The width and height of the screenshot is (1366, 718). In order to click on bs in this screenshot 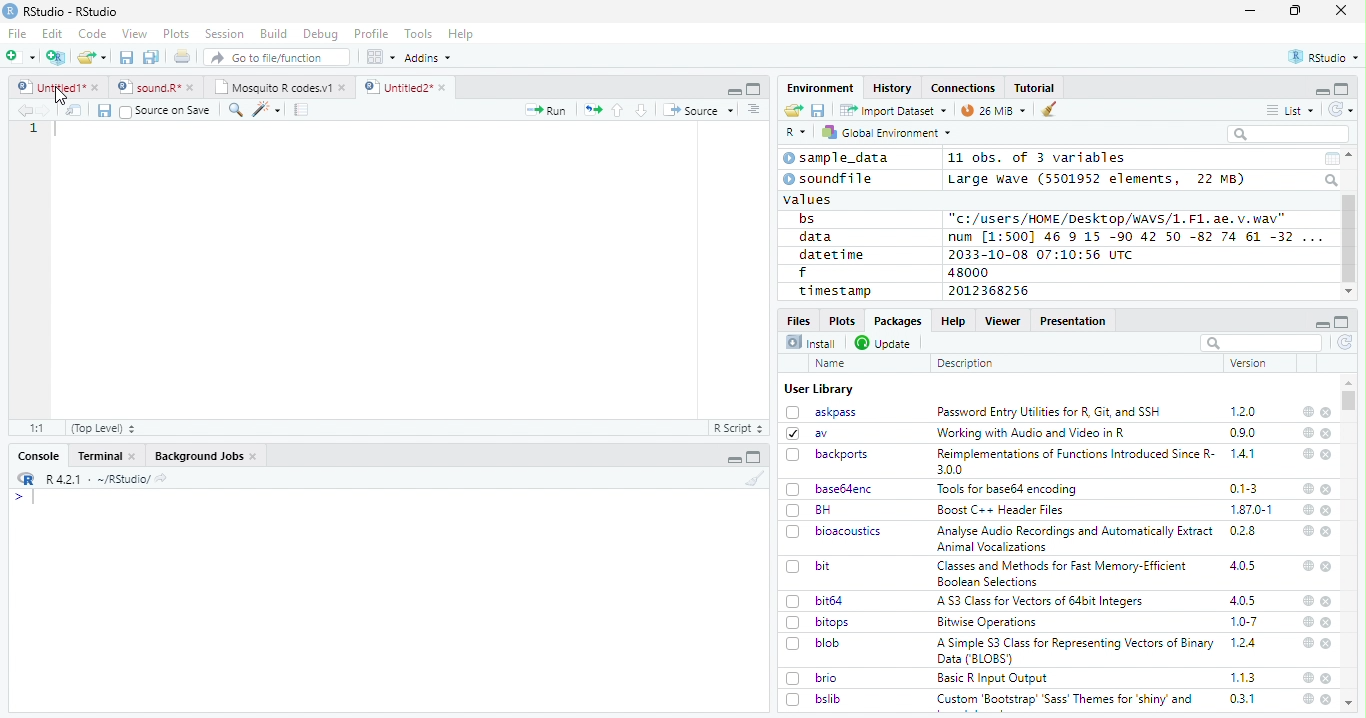, I will do `click(807, 219)`.